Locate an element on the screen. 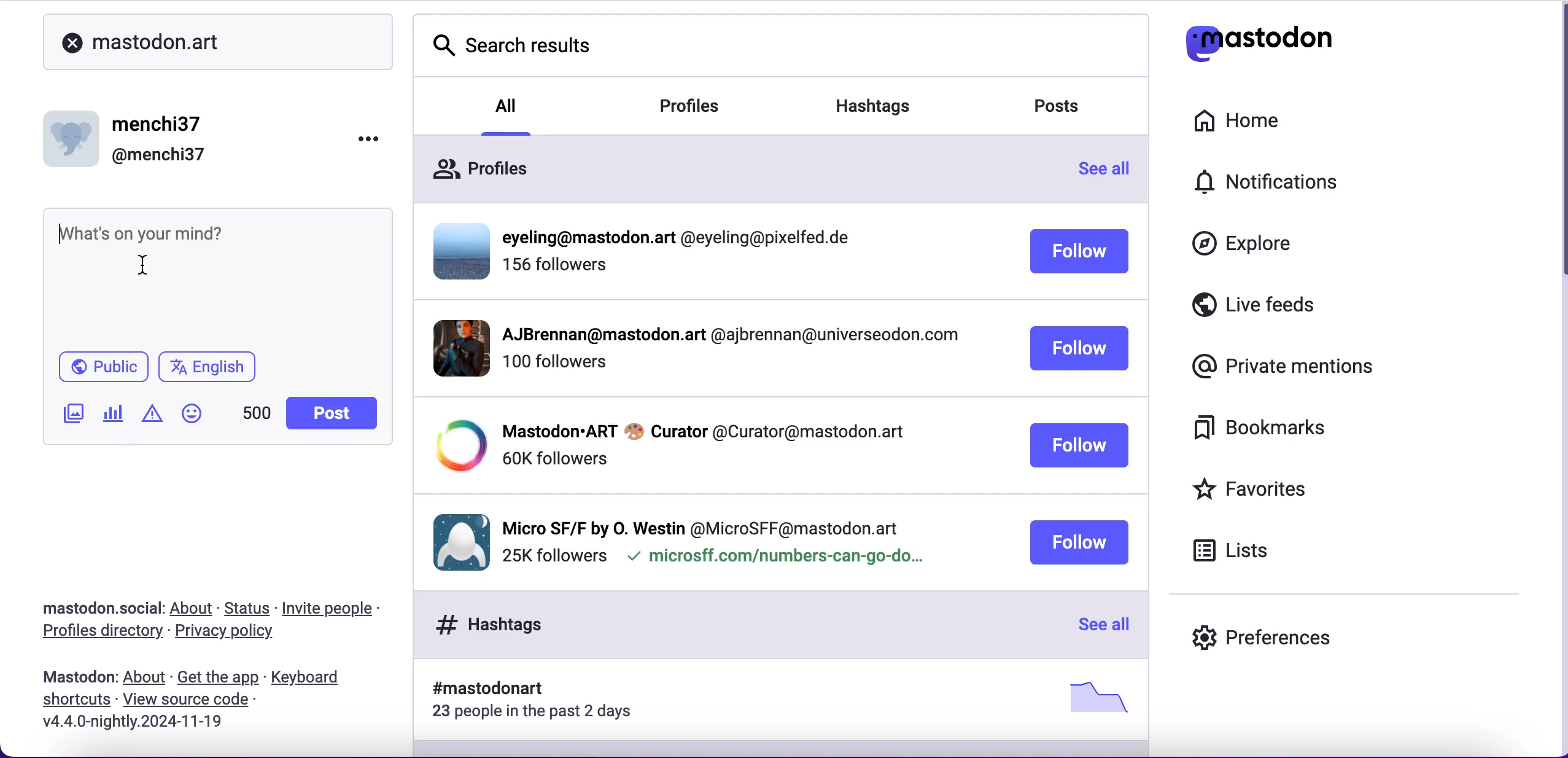 This screenshot has height=758, width=1568. mastodon.art is located at coordinates (220, 42).